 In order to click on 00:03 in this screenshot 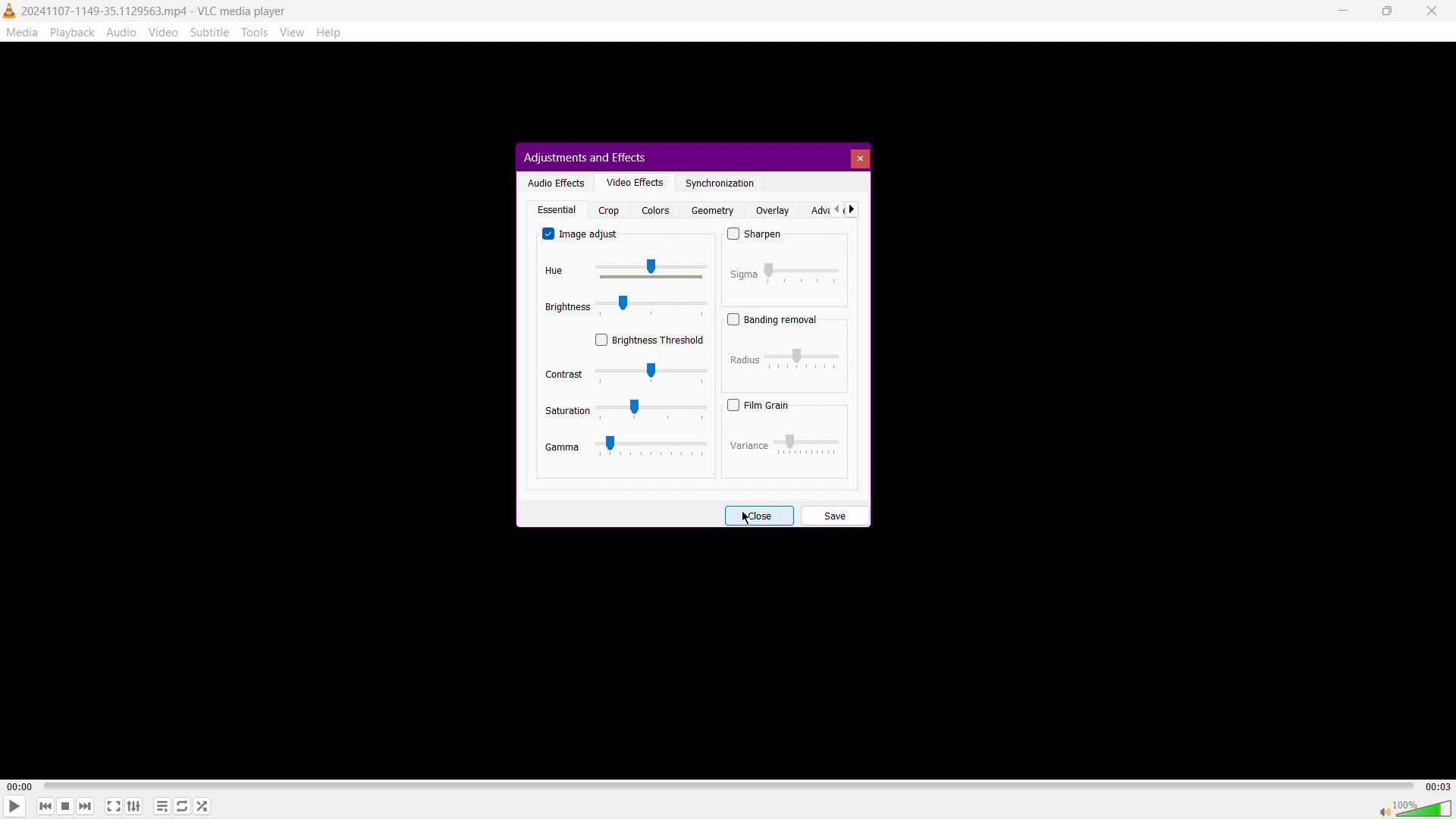, I will do `click(1437, 785)`.